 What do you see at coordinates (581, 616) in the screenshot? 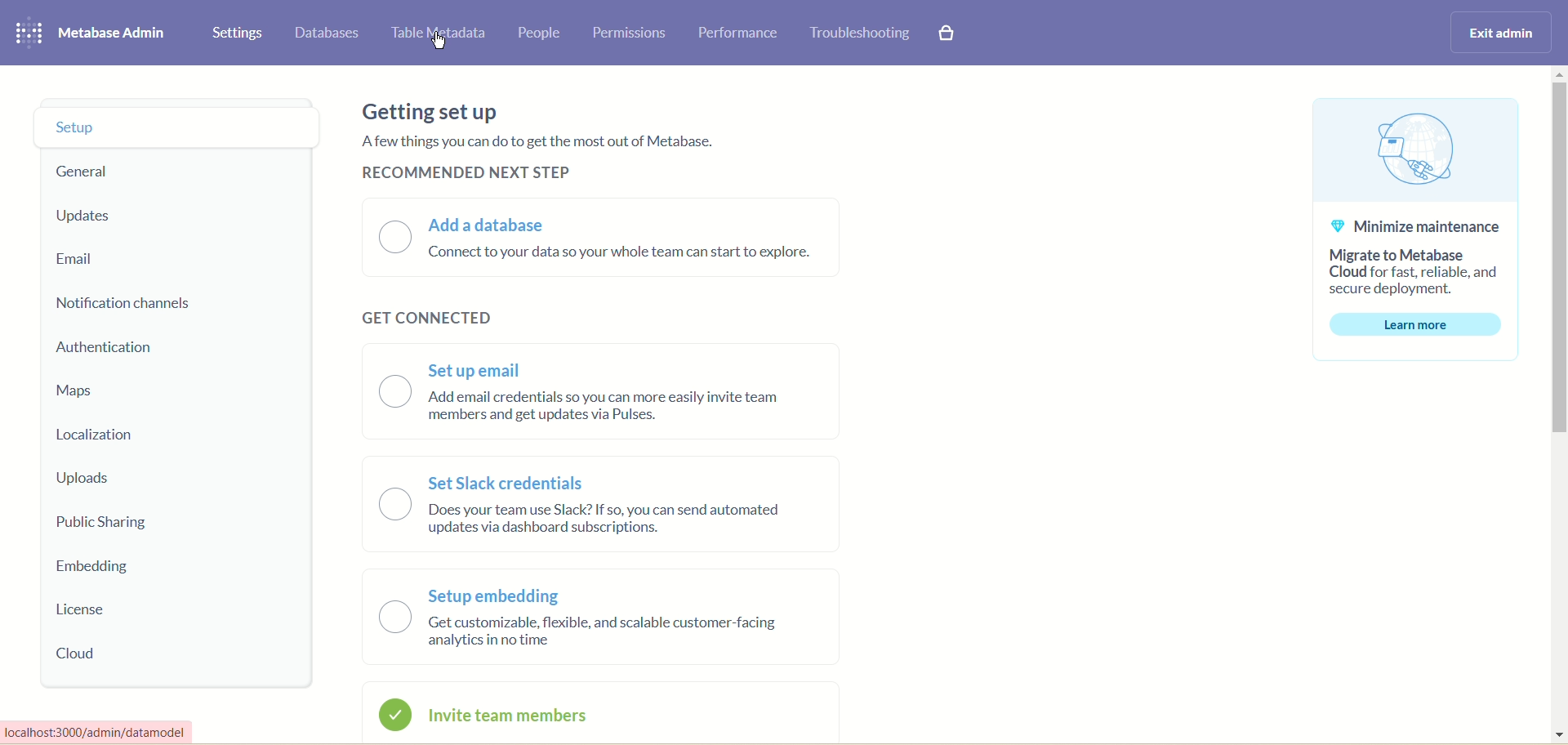
I see `Setup embedding Get customizable, flexible, and scalable customer-facinganalytics in no time ` at bounding box center [581, 616].